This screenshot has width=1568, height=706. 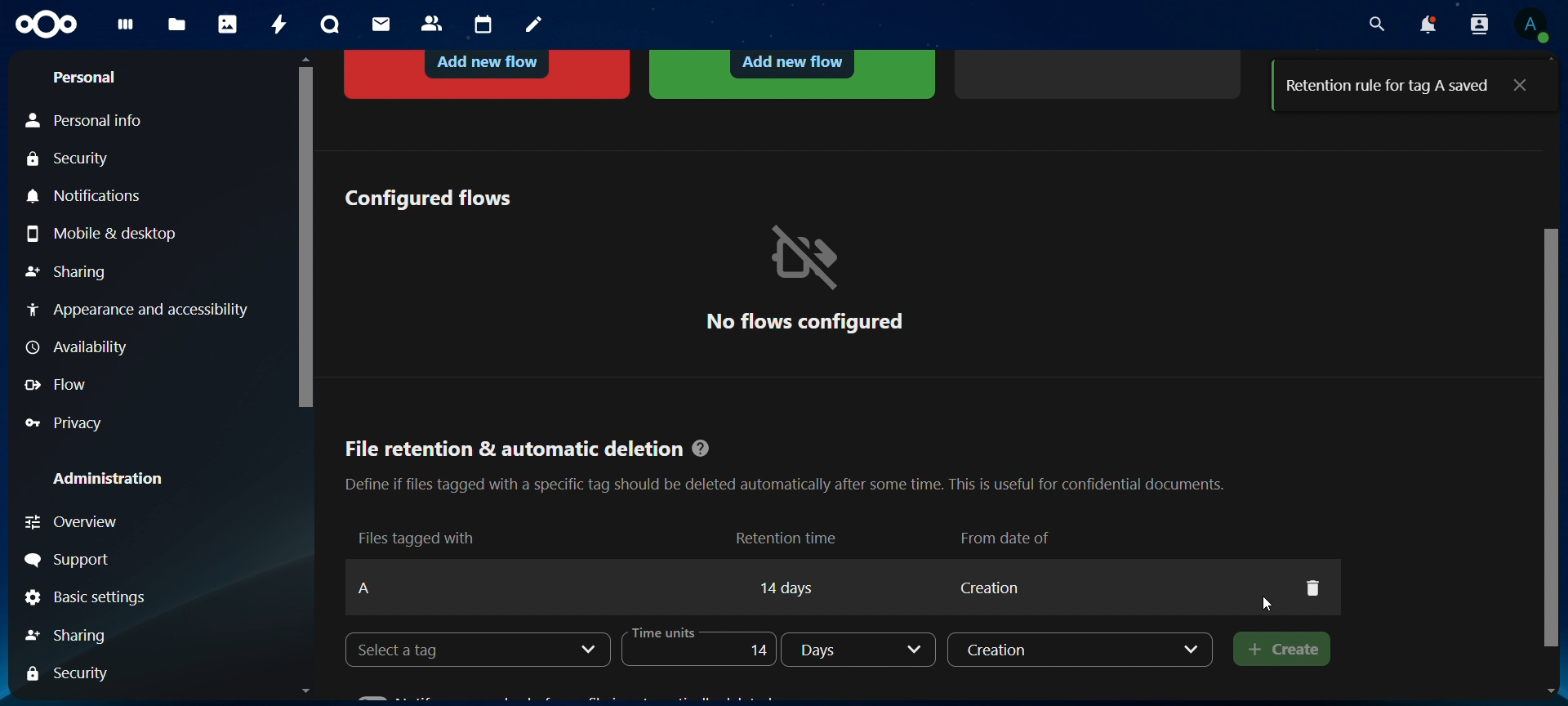 What do you see at coordinates (862, 650) in the screenshot?
I see `days` at bounding box center [862, 650].